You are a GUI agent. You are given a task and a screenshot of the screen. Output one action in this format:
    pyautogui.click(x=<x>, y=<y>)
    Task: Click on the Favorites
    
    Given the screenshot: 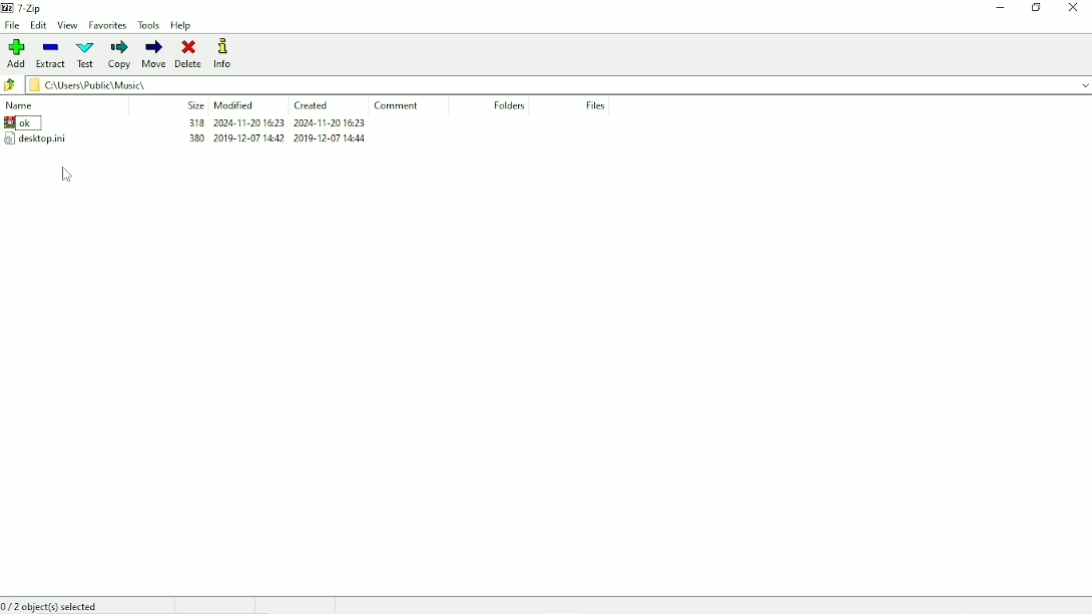 What is the action you would take?
    pyautogui.click(x=109, y=25)
    